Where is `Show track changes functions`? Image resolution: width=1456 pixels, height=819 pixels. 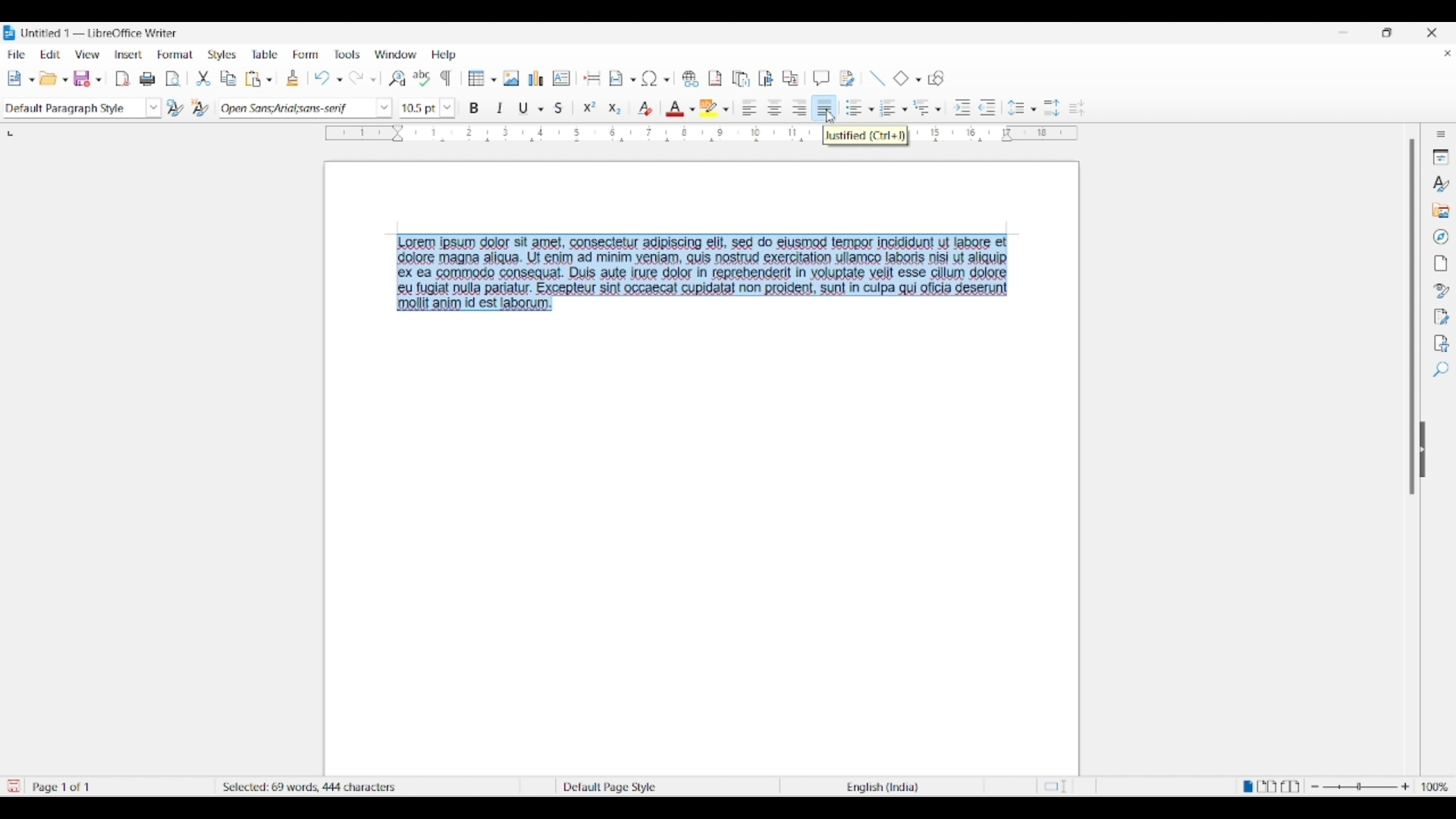
Show track changes functions is located at coordinates (848, 79).